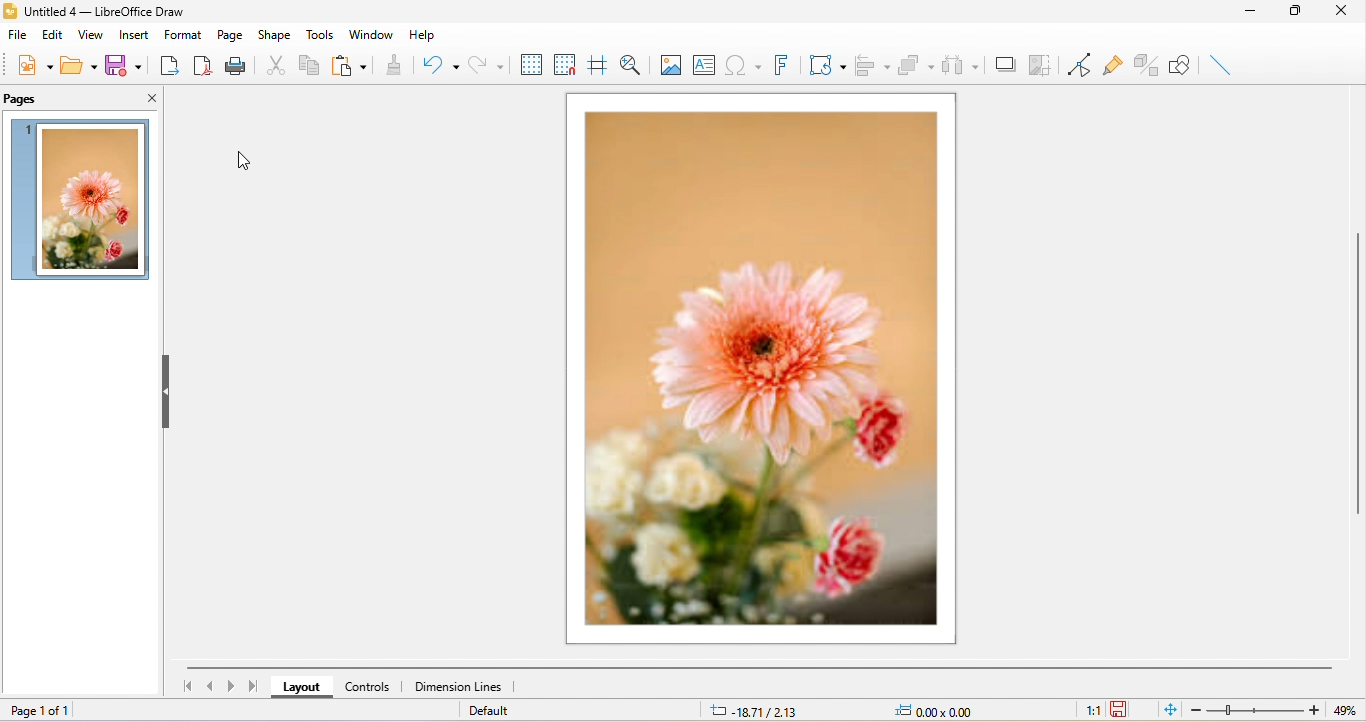 The height and width of the screenshot is (722, 1366). What do you see at coordinates (1113, 62) in the screenshot?
I see `glue point function` at bounding box center [1113, 62].